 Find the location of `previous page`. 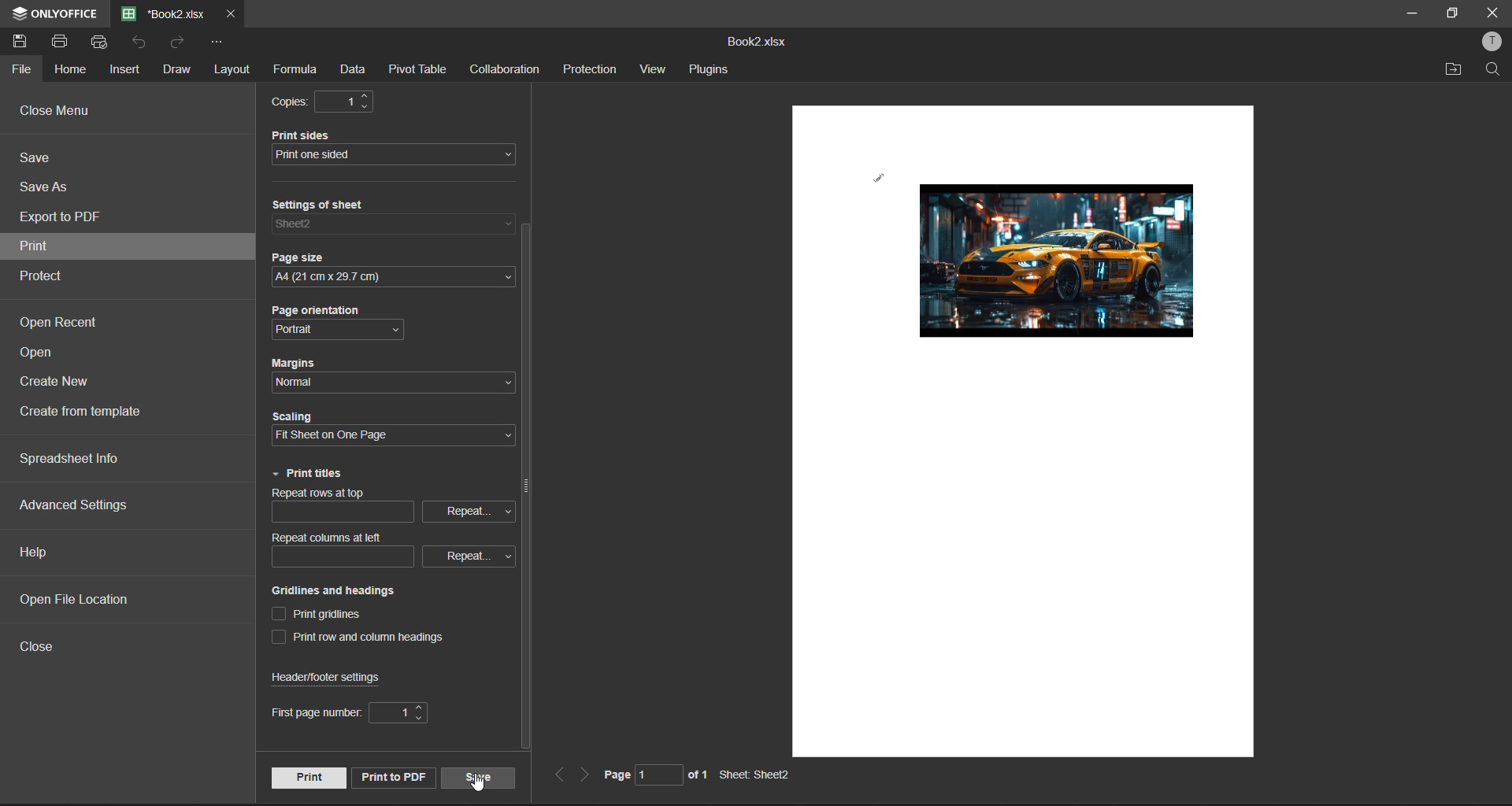

previous page is located at coordinates (558, 776).